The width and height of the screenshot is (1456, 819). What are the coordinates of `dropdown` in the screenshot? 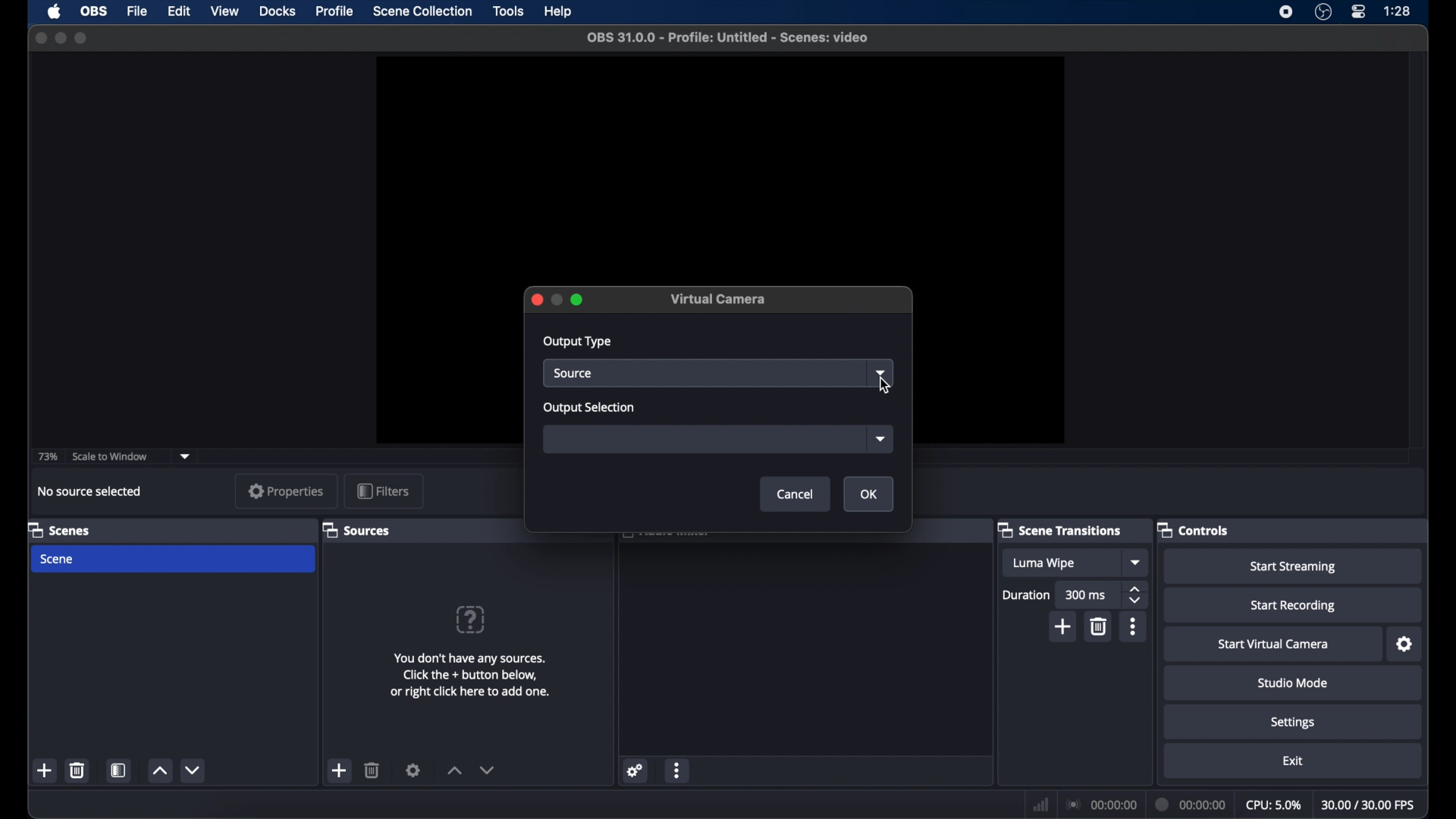 It's located at (185, 457).